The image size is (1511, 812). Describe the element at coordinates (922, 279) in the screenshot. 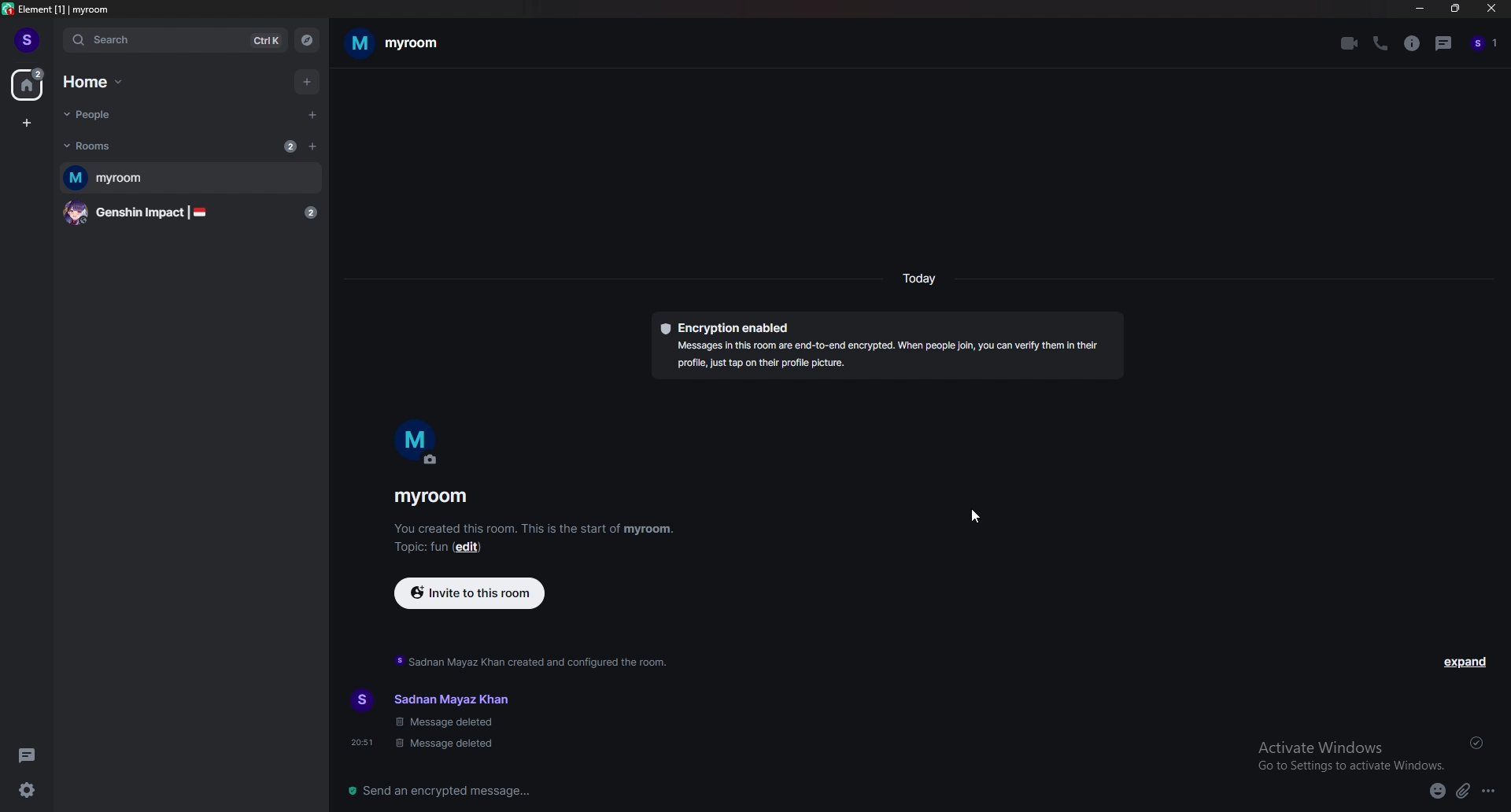

I see `today` at that location.